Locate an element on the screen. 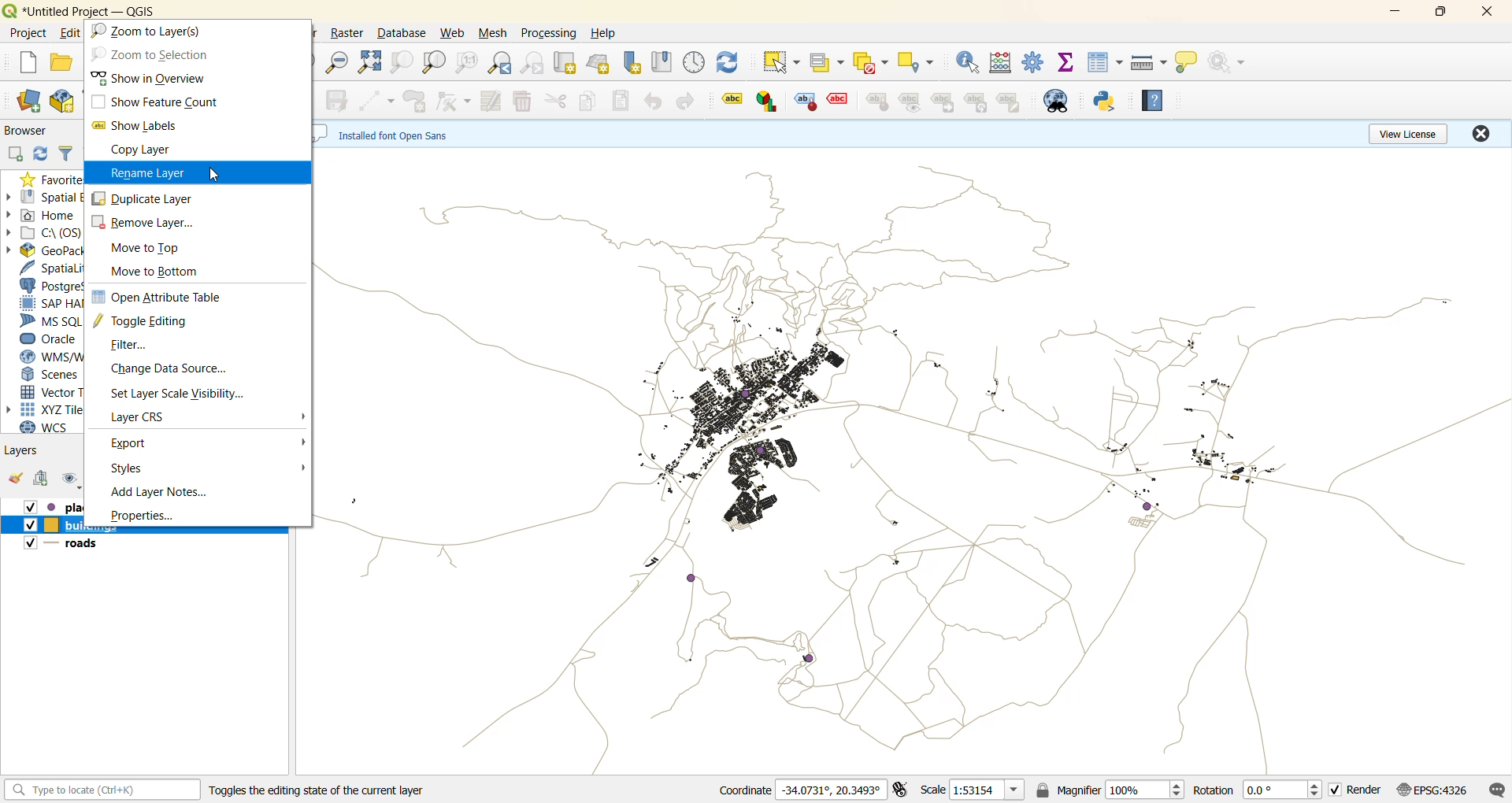  styles is located at coordinates (132, 469).